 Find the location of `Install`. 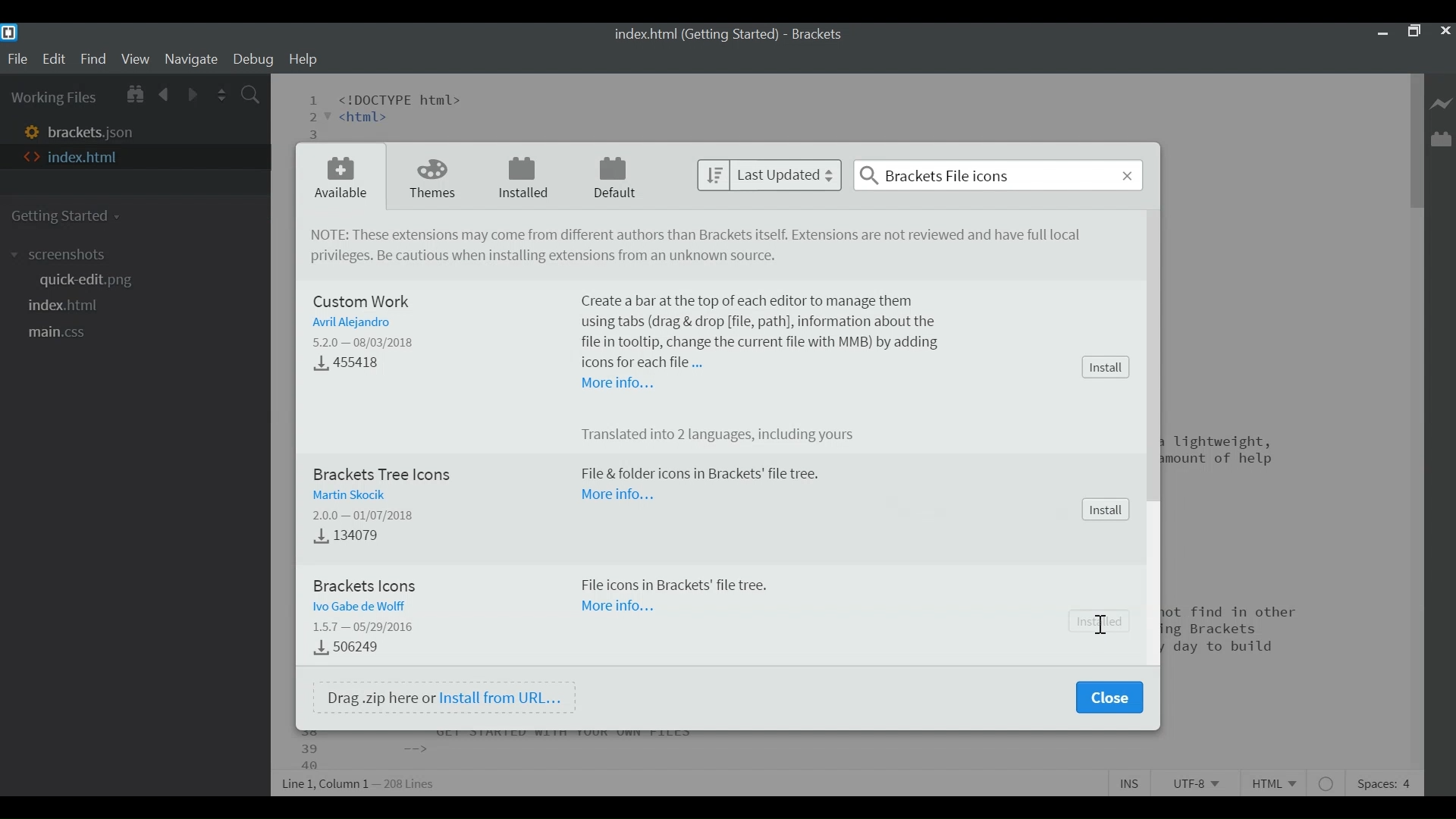

Install is located at coordinates (1104, 367).